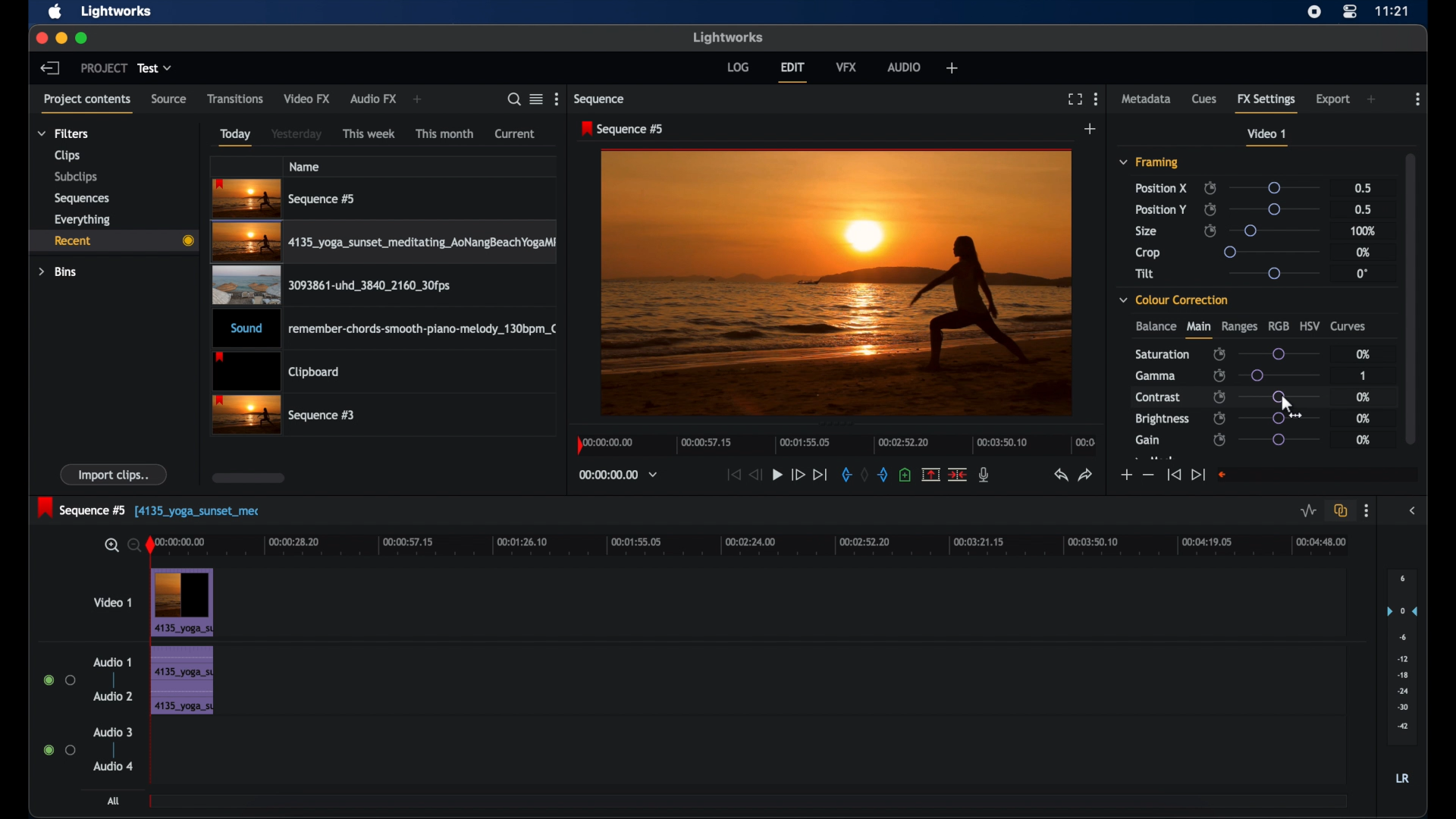 The width and height of the screenshot is (1456, 819). I want to click on size, so click(1147, 231).